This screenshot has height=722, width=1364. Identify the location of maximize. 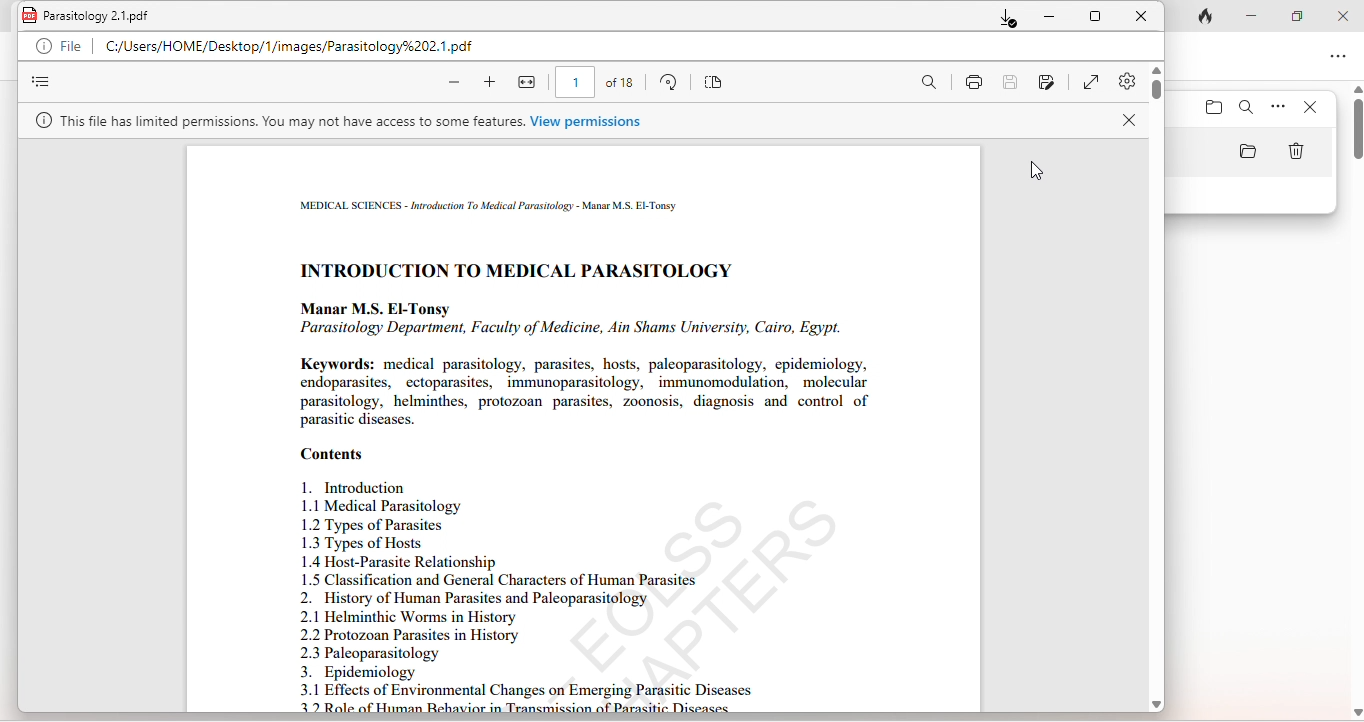
(1095, 19).